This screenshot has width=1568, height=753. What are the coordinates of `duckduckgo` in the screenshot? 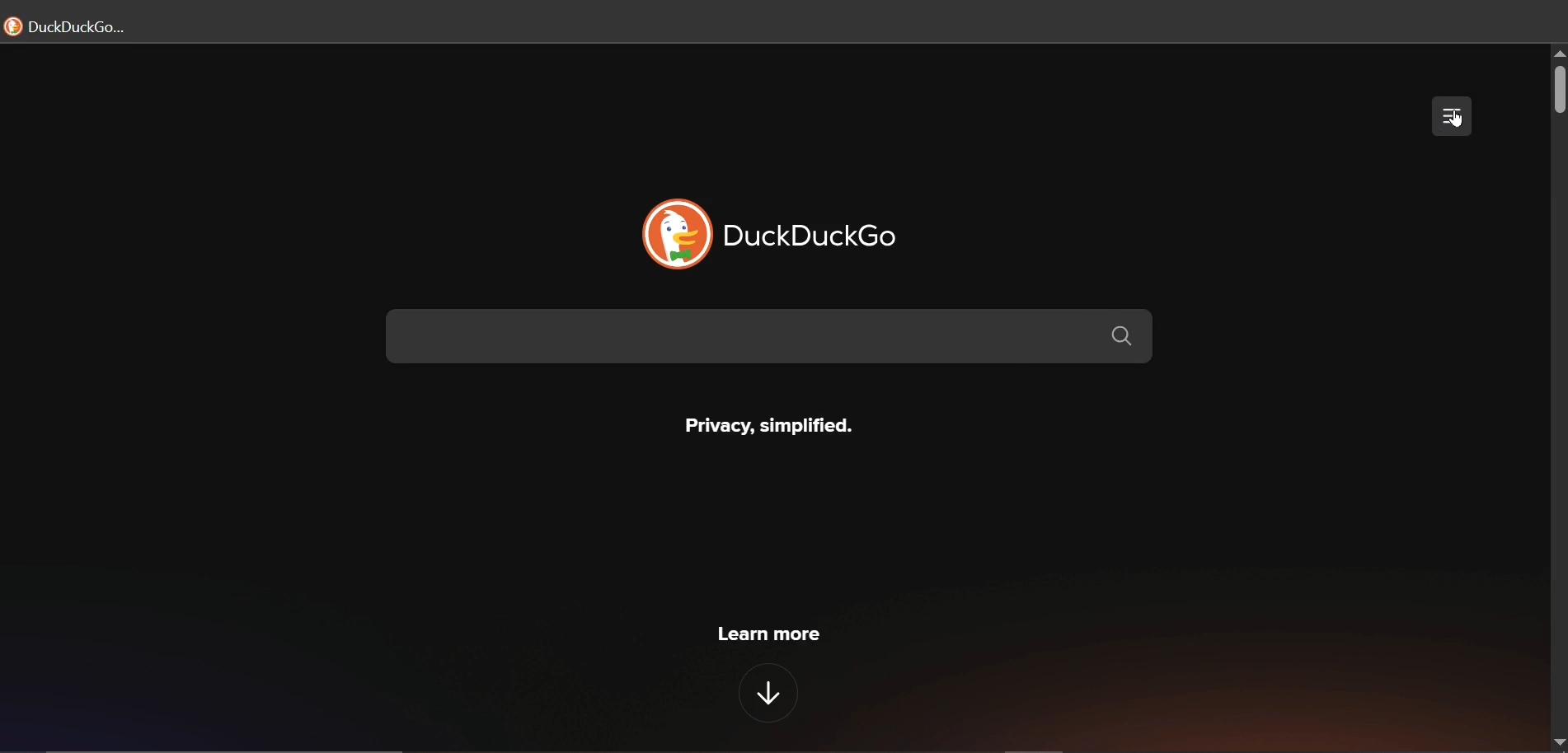 It's located at (771, 232).